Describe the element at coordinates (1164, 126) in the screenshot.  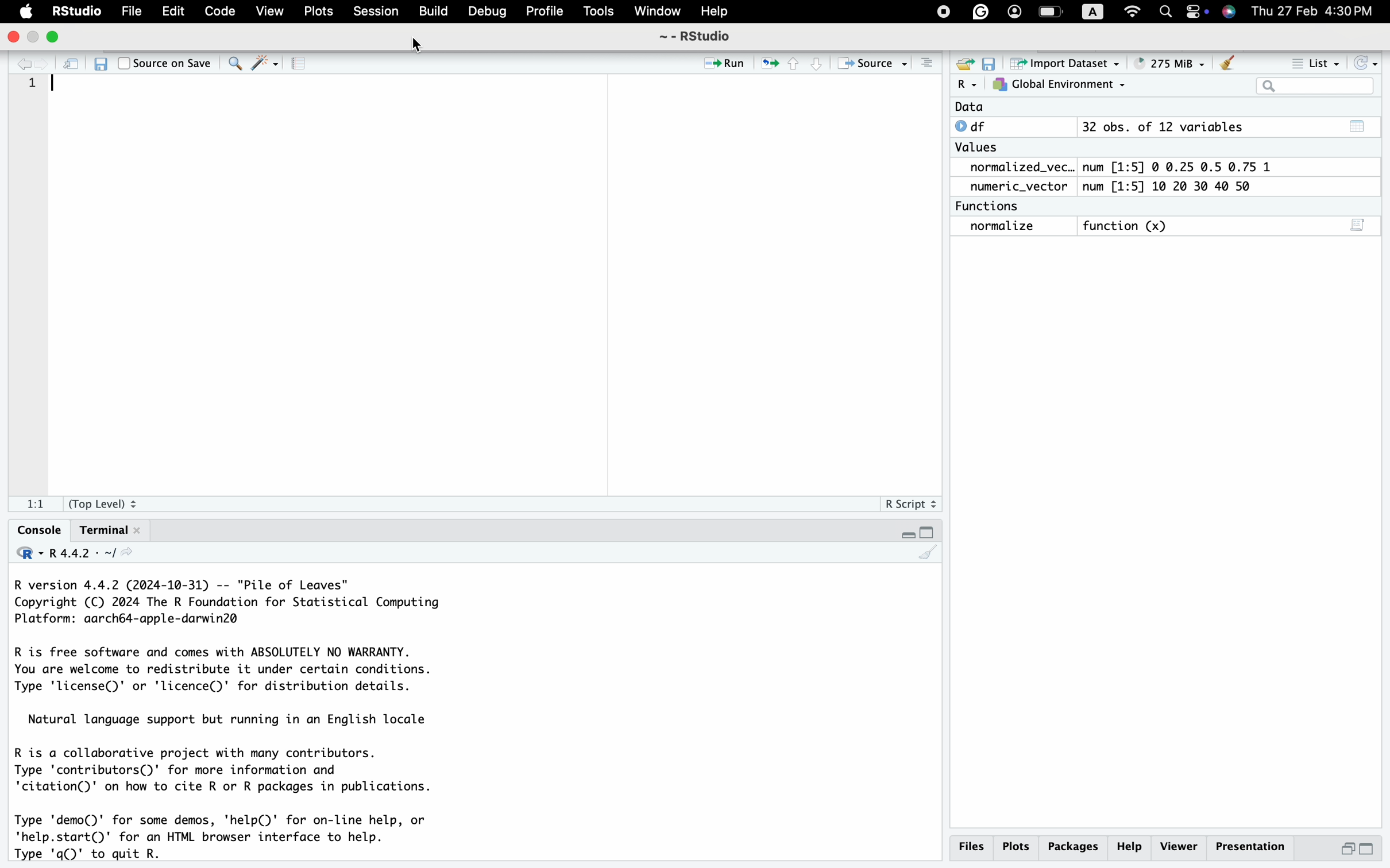
I see `32 obs. of 12 variables` at that location.